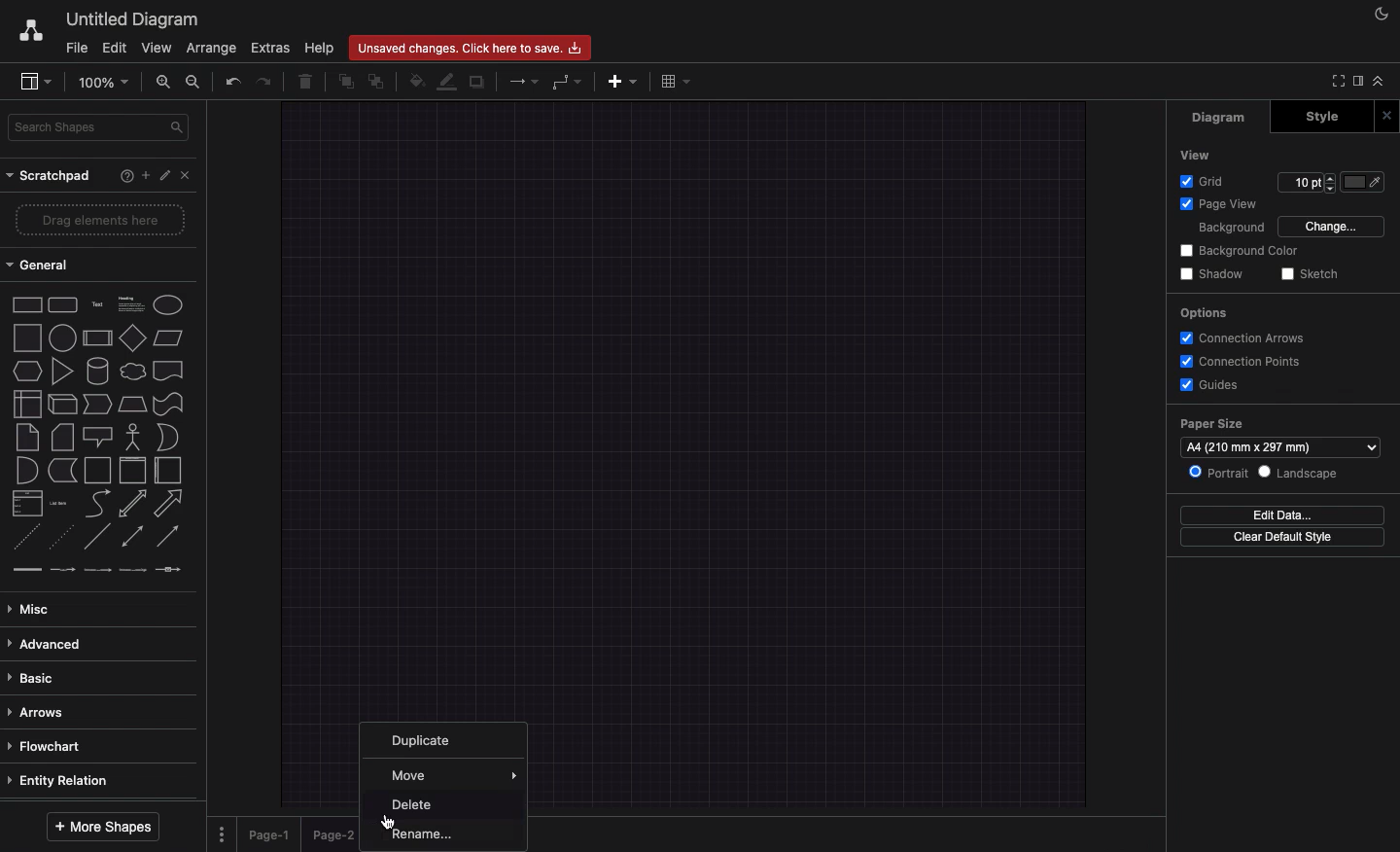 The width and height of the screenshot is (1400, 852). Describe the element at coordinates (109, 83) in the screenshot. I see `Zoom` at that location.